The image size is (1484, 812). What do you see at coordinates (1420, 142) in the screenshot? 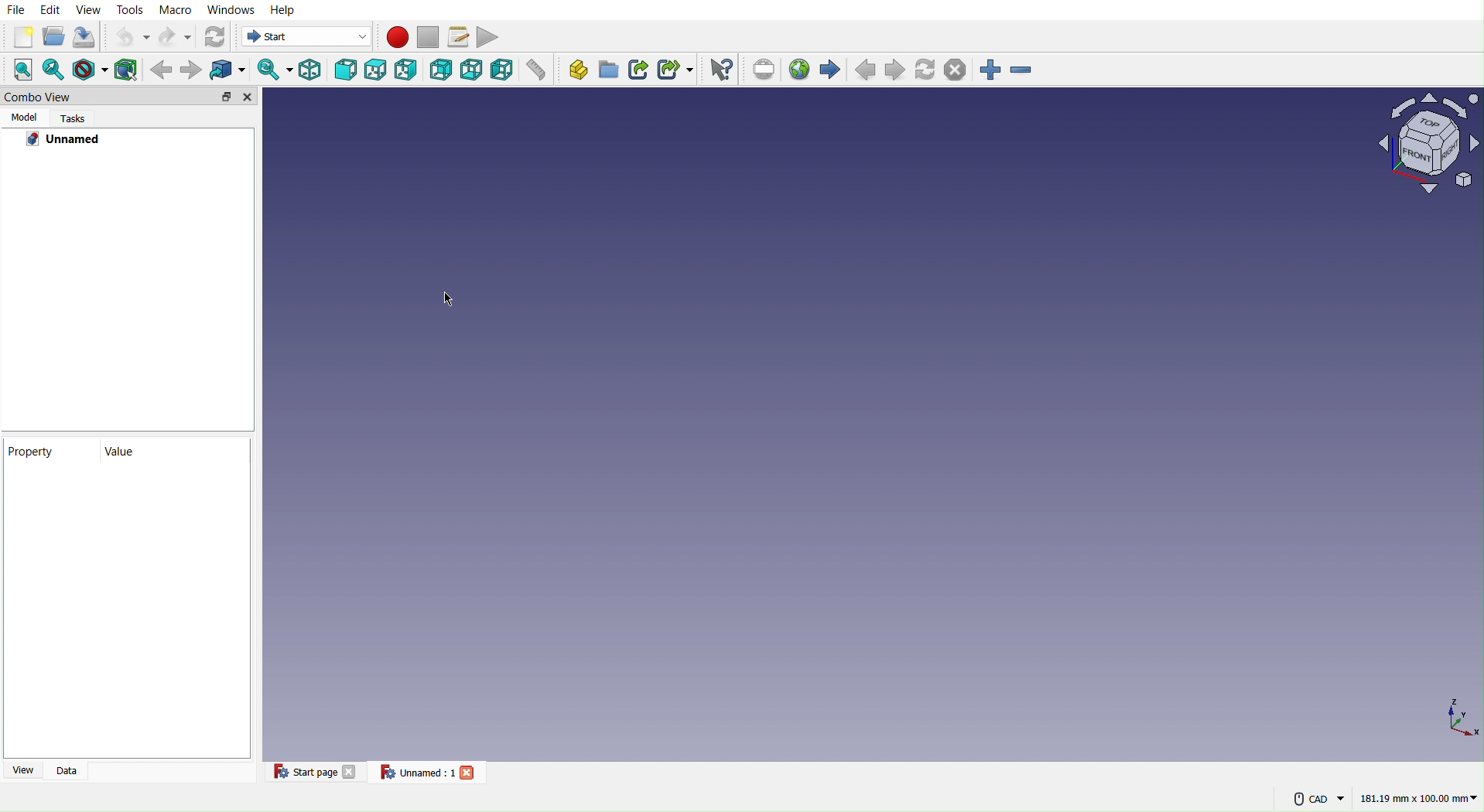
I see `Isometric View` at bounding box center [1420, 142].